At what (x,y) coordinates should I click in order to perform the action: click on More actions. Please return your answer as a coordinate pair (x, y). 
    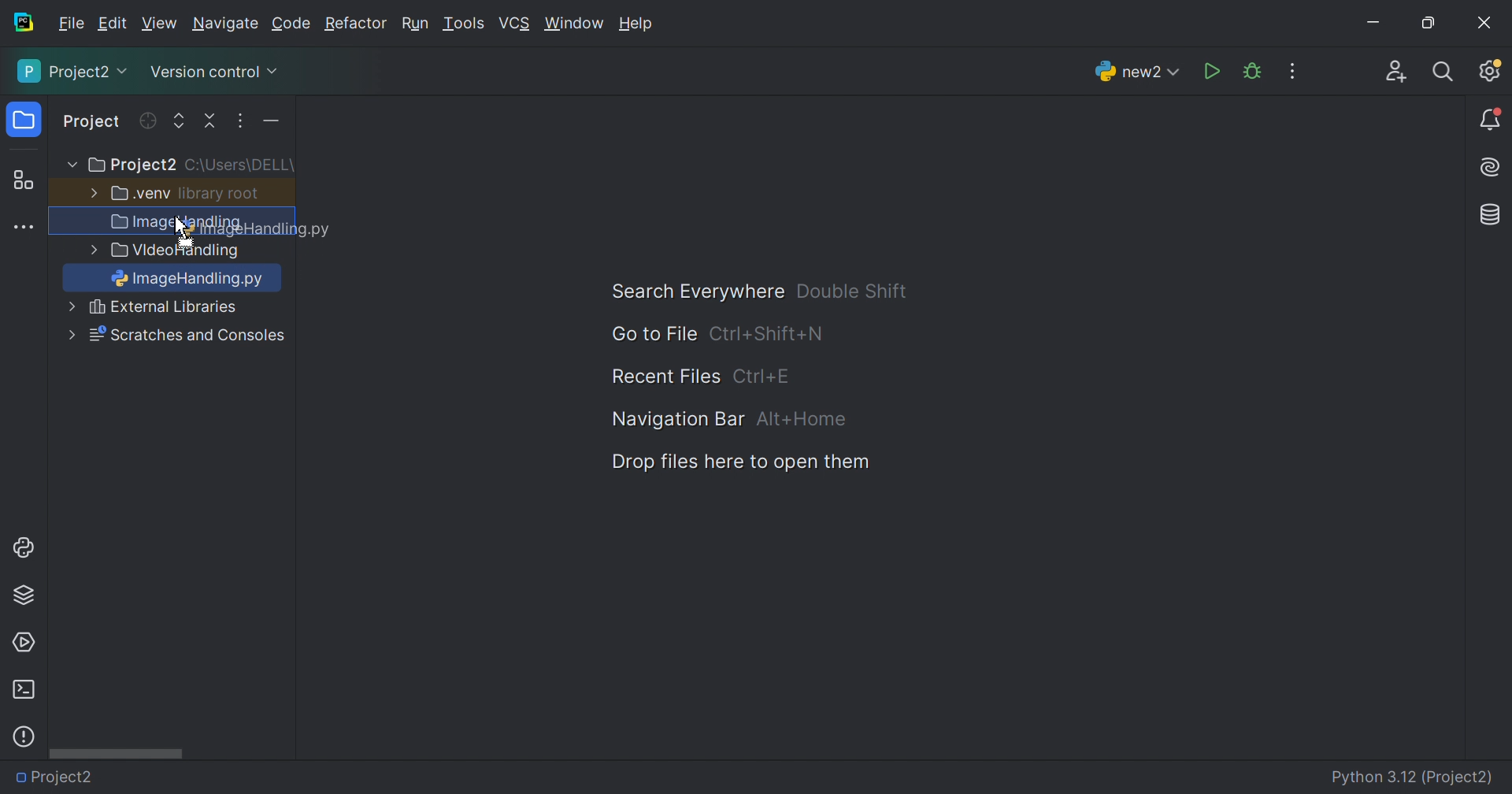
    Looking at the image, I should click on (267, 124).